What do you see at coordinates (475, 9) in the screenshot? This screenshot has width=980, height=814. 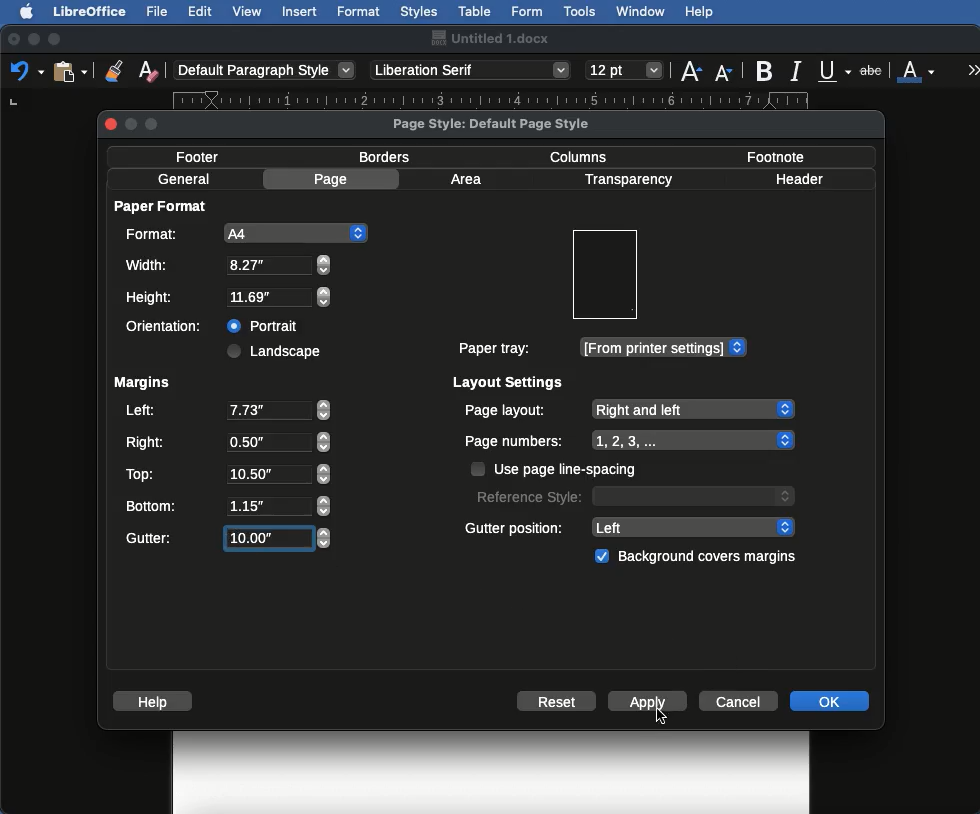 I see `Table` at bounding box center [475, 9].